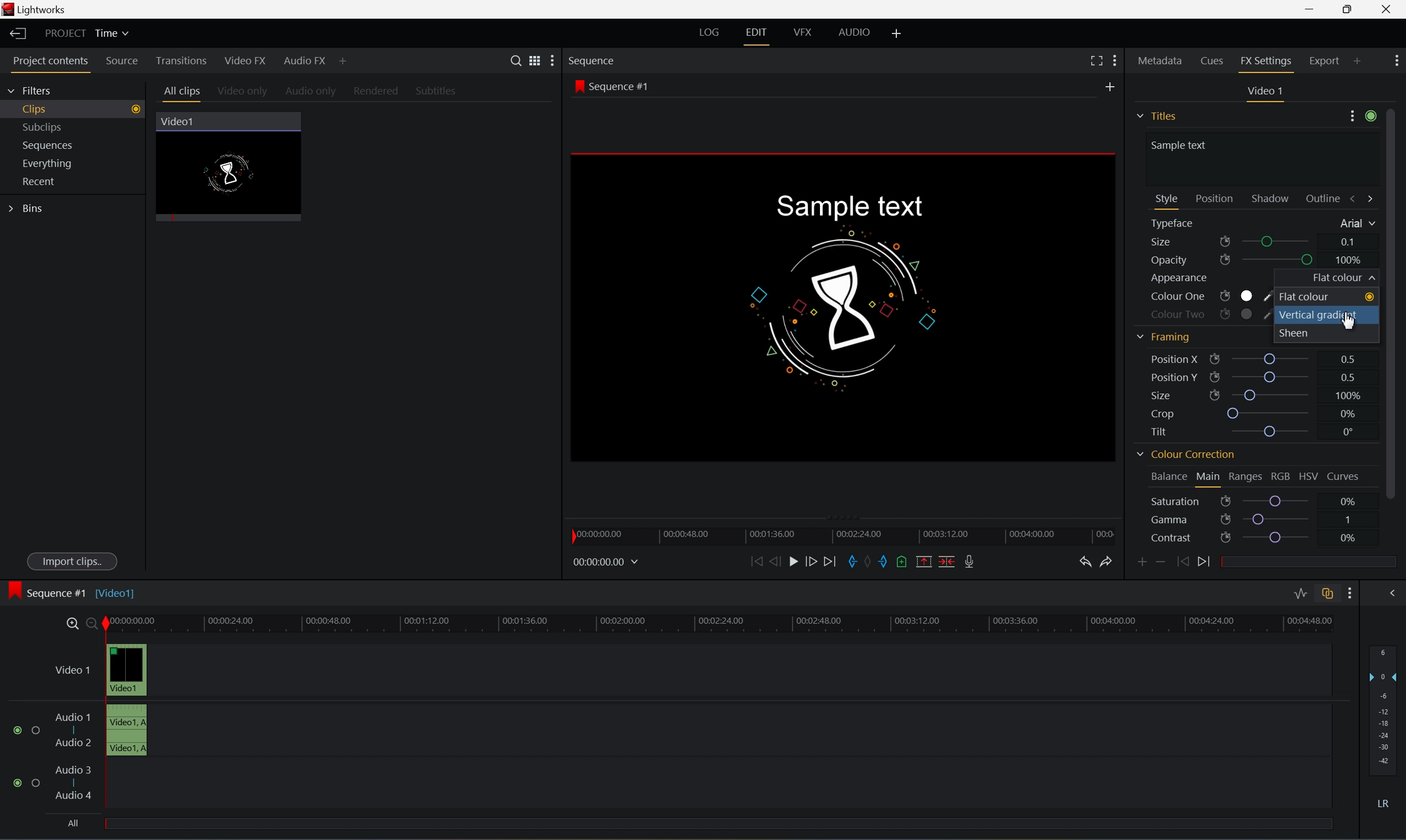  Describe the element at coordinates (943, 561) in the screenshot. I see `delete/cut` at that location.